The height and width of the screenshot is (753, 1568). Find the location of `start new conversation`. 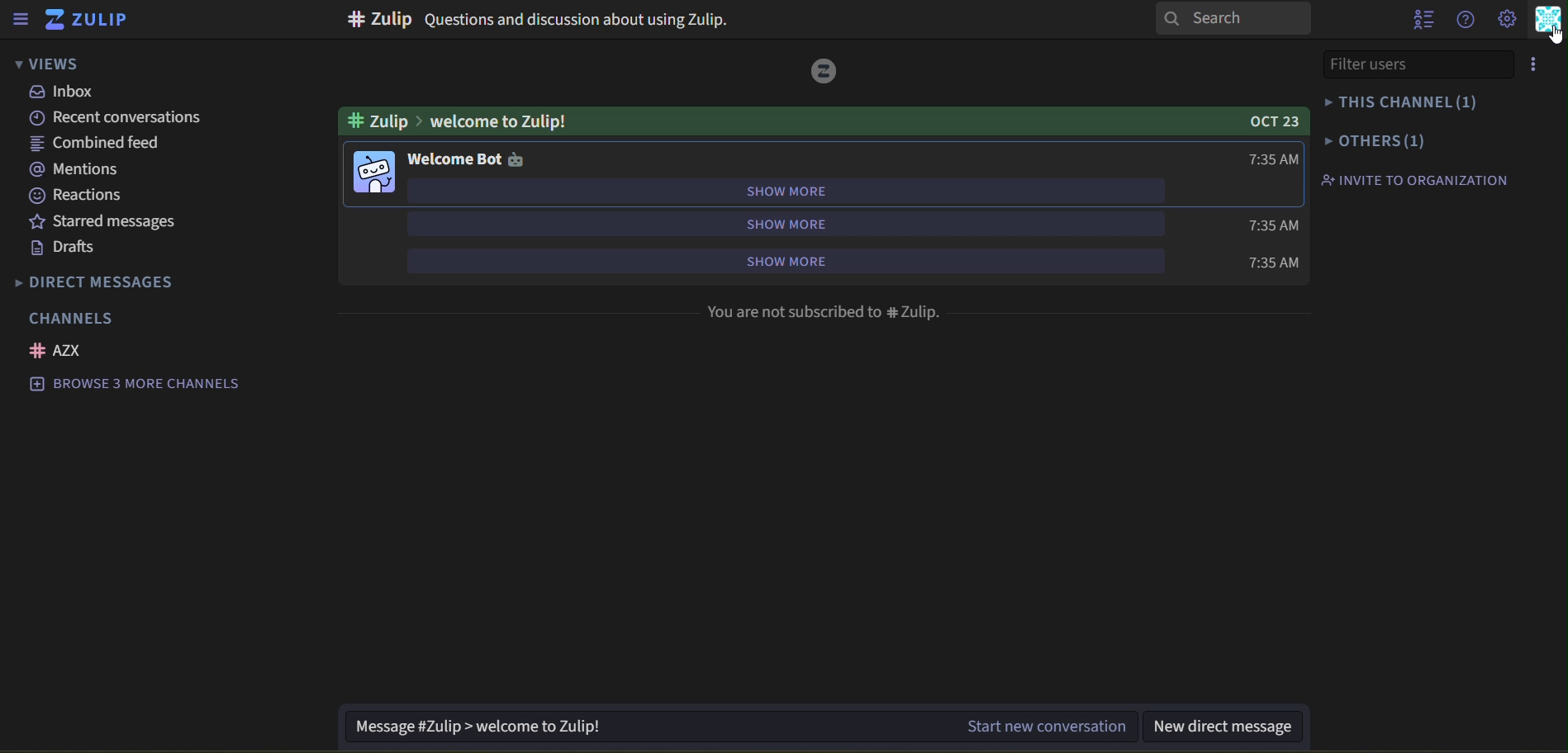

start new conversation is located at coordinates (741, 727).